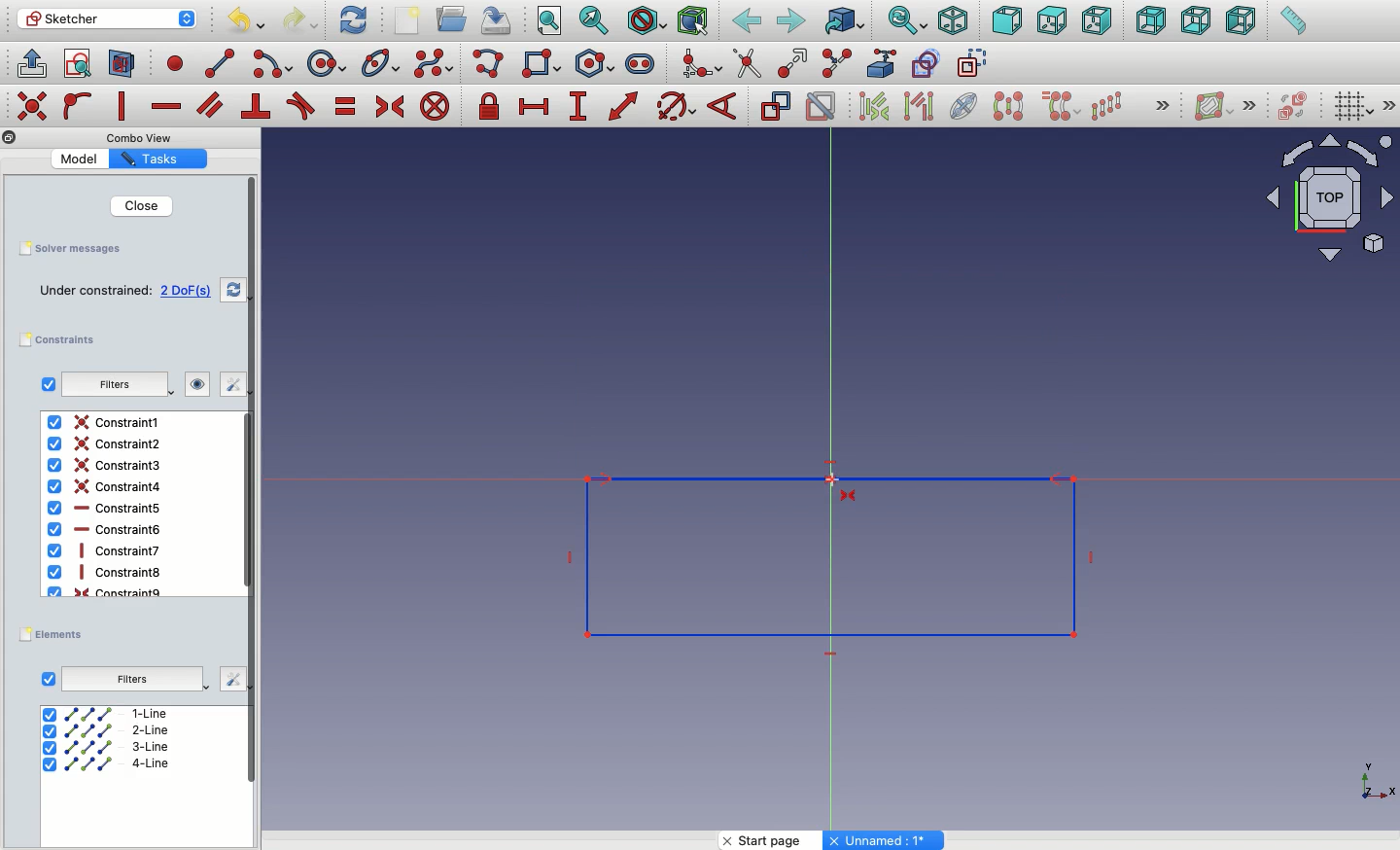 The width and height of the screenshot is (1400, 850). Describe the element at coordinates (258, 107) in the screenshot. I see `constrain perpendicular` at that location.